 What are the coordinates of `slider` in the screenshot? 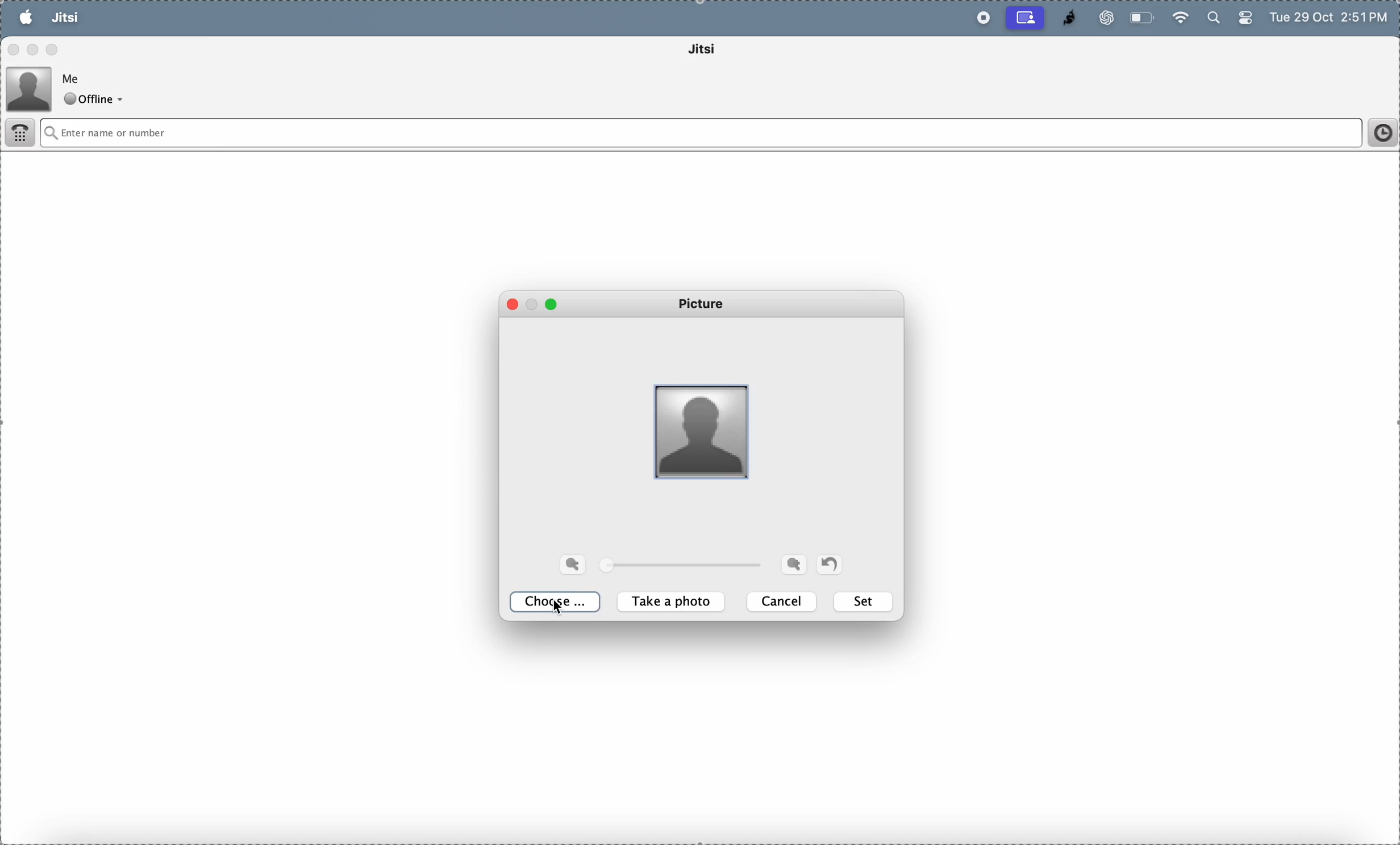 It's located at (686, 566).